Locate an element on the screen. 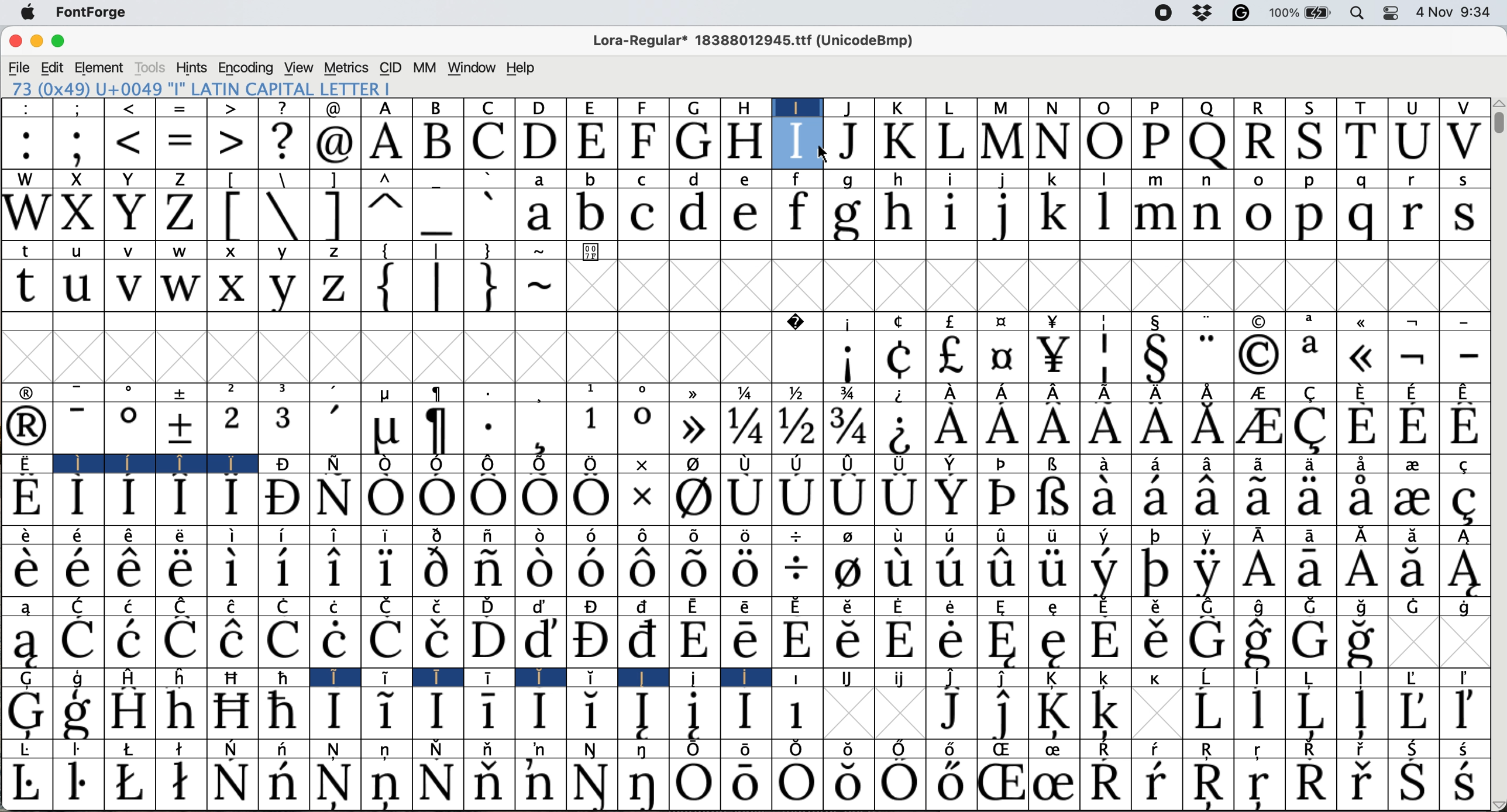 This screenshot has width=1507, height=812. 0 is located at coordinates (640, 428).